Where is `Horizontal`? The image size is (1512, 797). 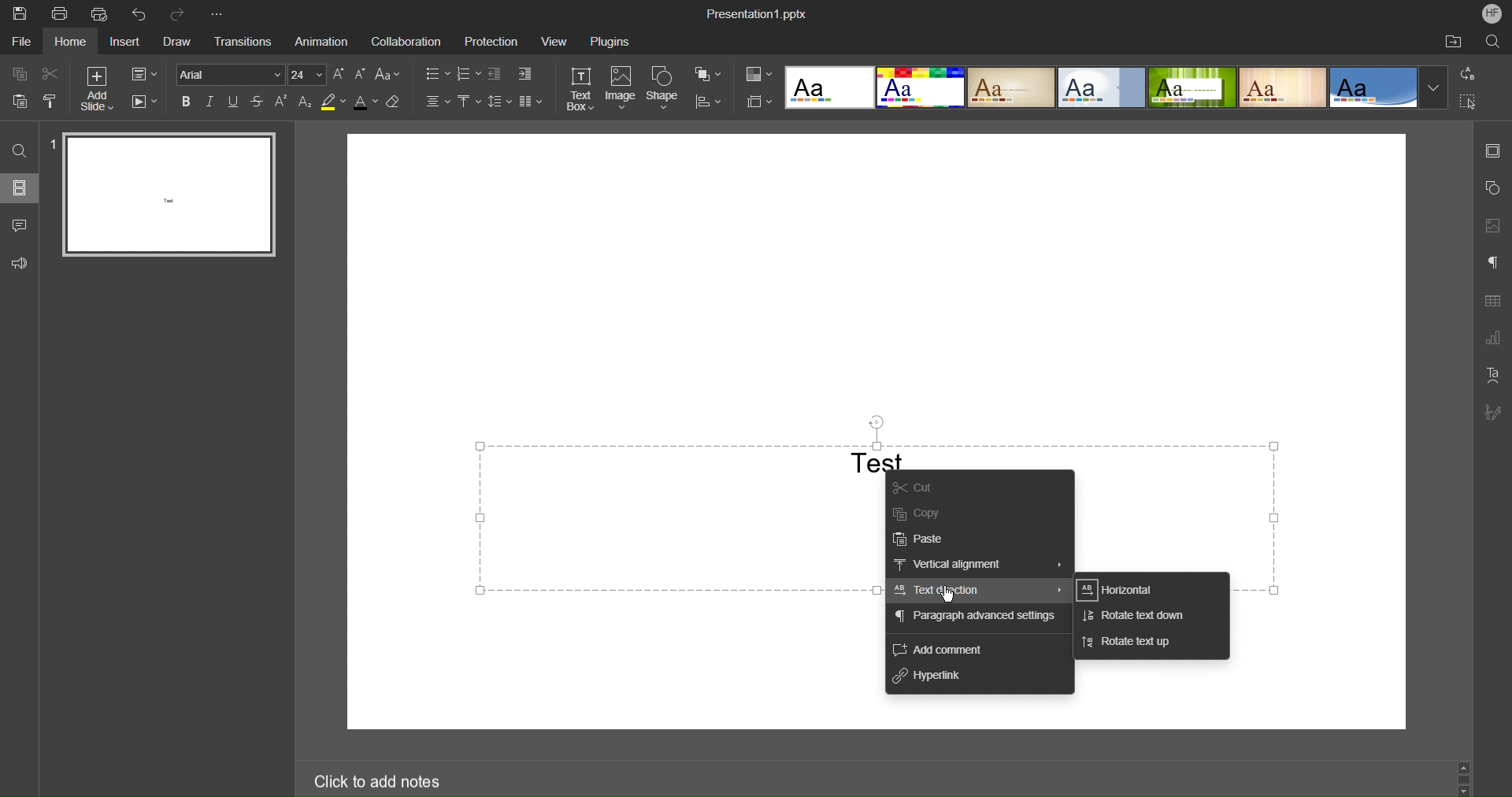
Horizontal is located at coordinates (1124, 590).